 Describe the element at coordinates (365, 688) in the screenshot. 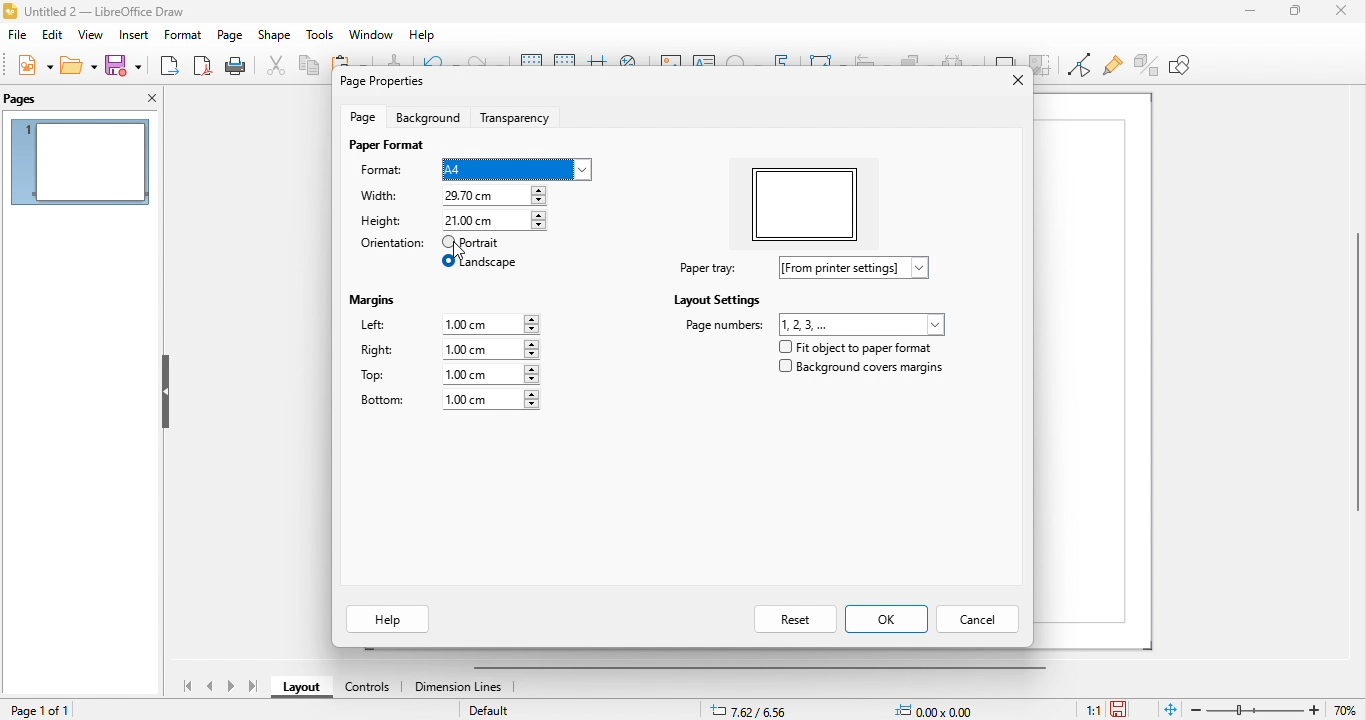

I see `controls` at that location.